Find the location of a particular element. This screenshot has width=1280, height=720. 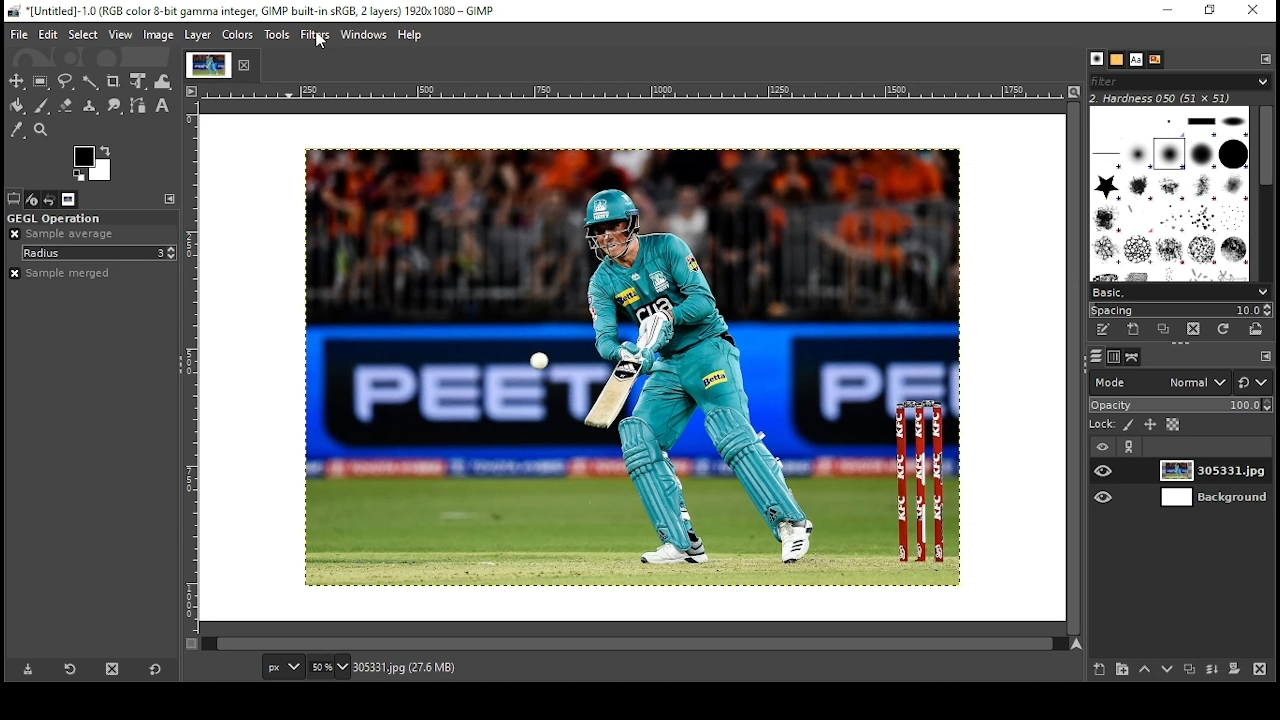

edit is located at coordinates (50, 35).